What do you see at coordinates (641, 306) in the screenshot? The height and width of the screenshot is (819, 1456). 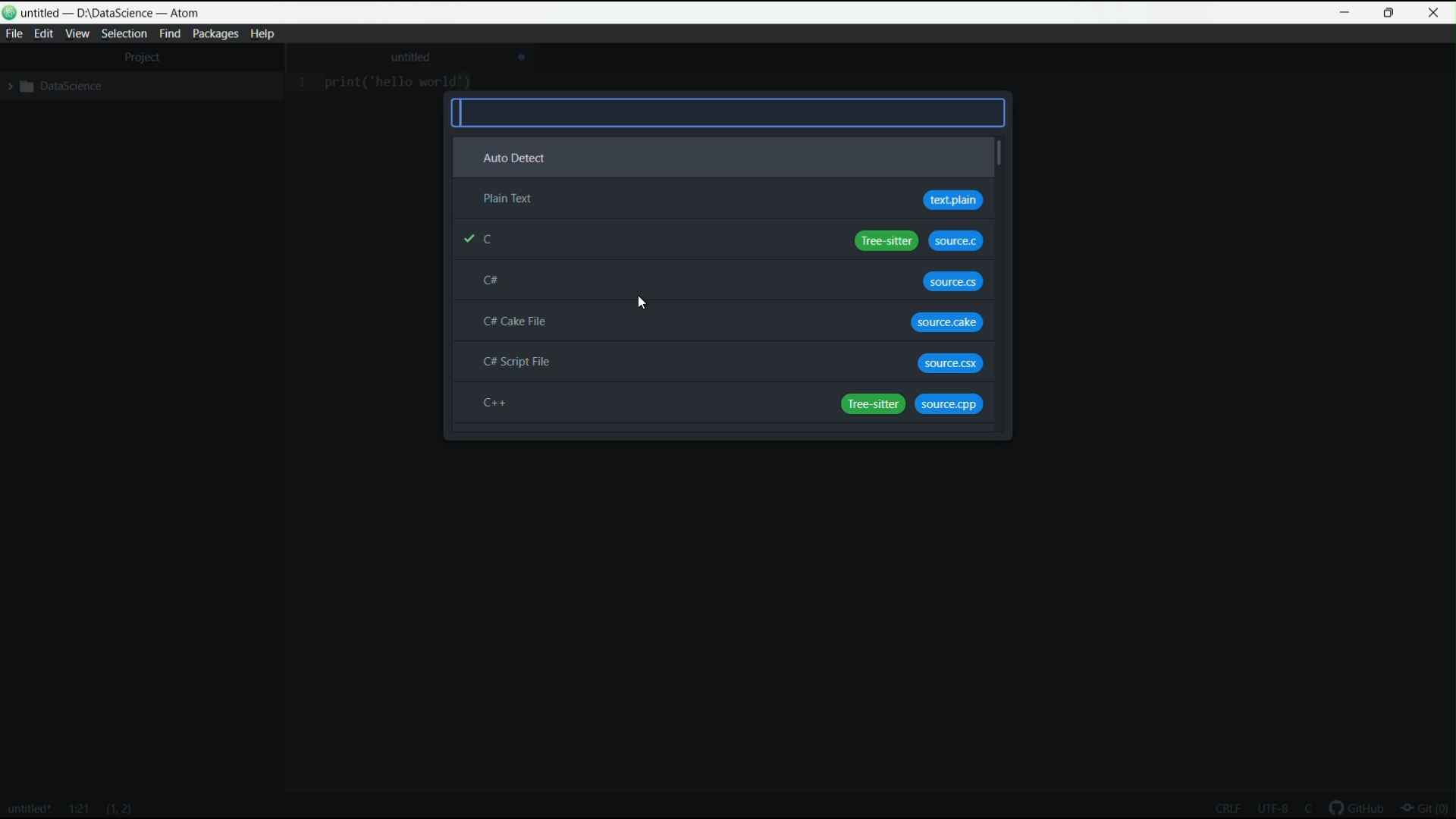 I see `cursor` at bounding box center [641, 306].